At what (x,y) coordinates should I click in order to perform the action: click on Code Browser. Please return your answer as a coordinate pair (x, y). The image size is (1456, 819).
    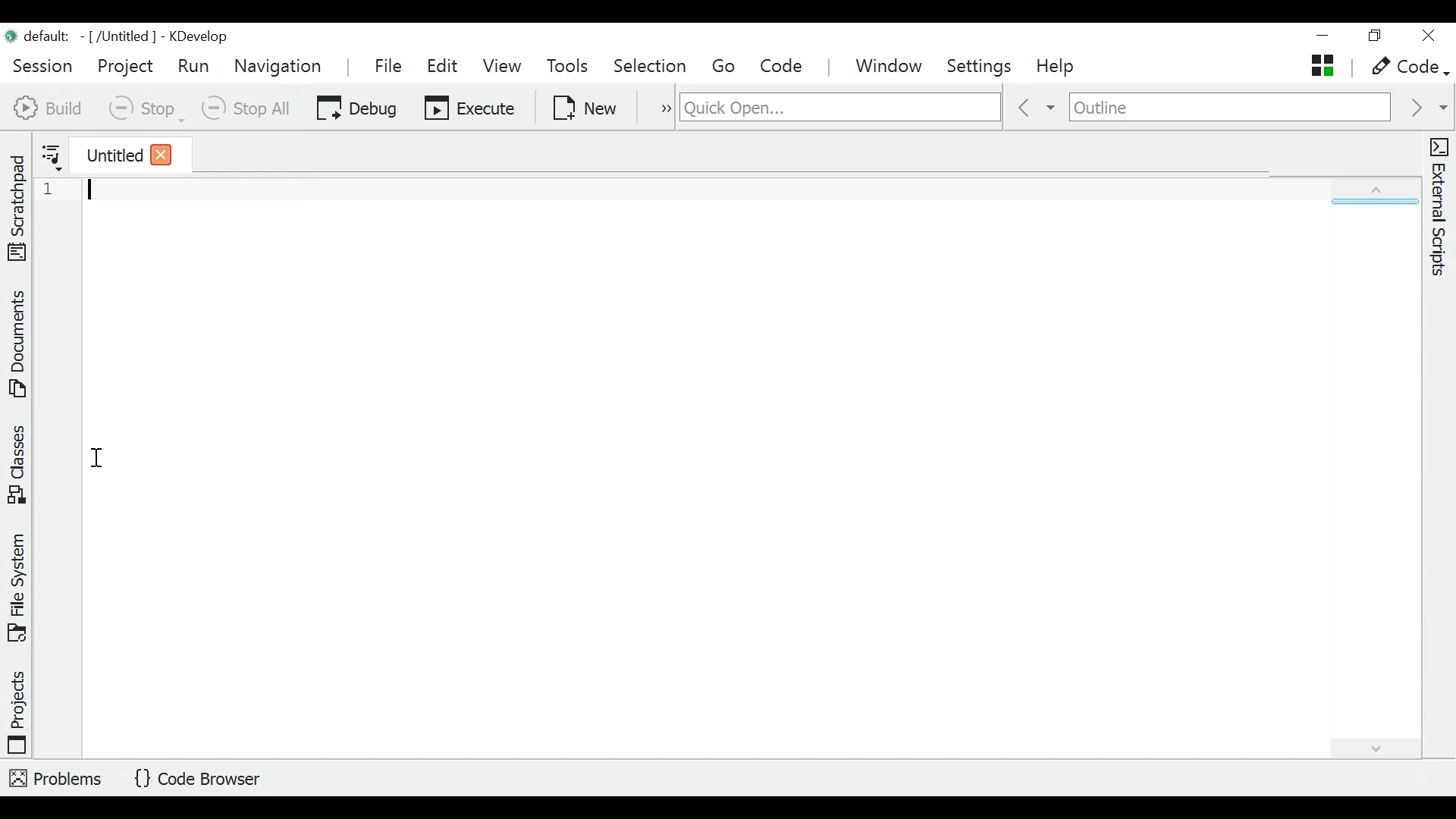
    Looking at the image, I should click on (197, 777).